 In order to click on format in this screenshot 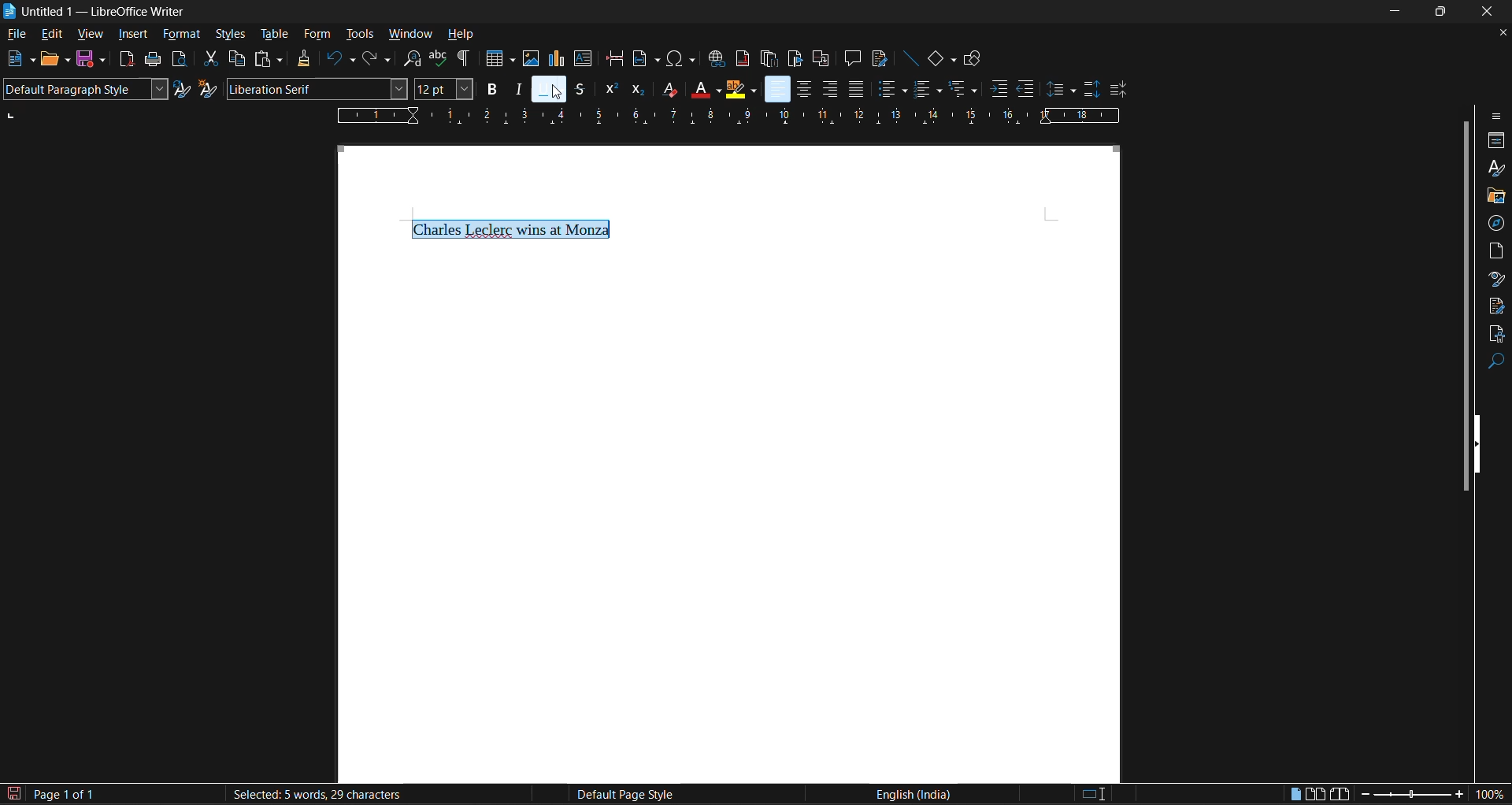, I will do `click(182, 35)`.